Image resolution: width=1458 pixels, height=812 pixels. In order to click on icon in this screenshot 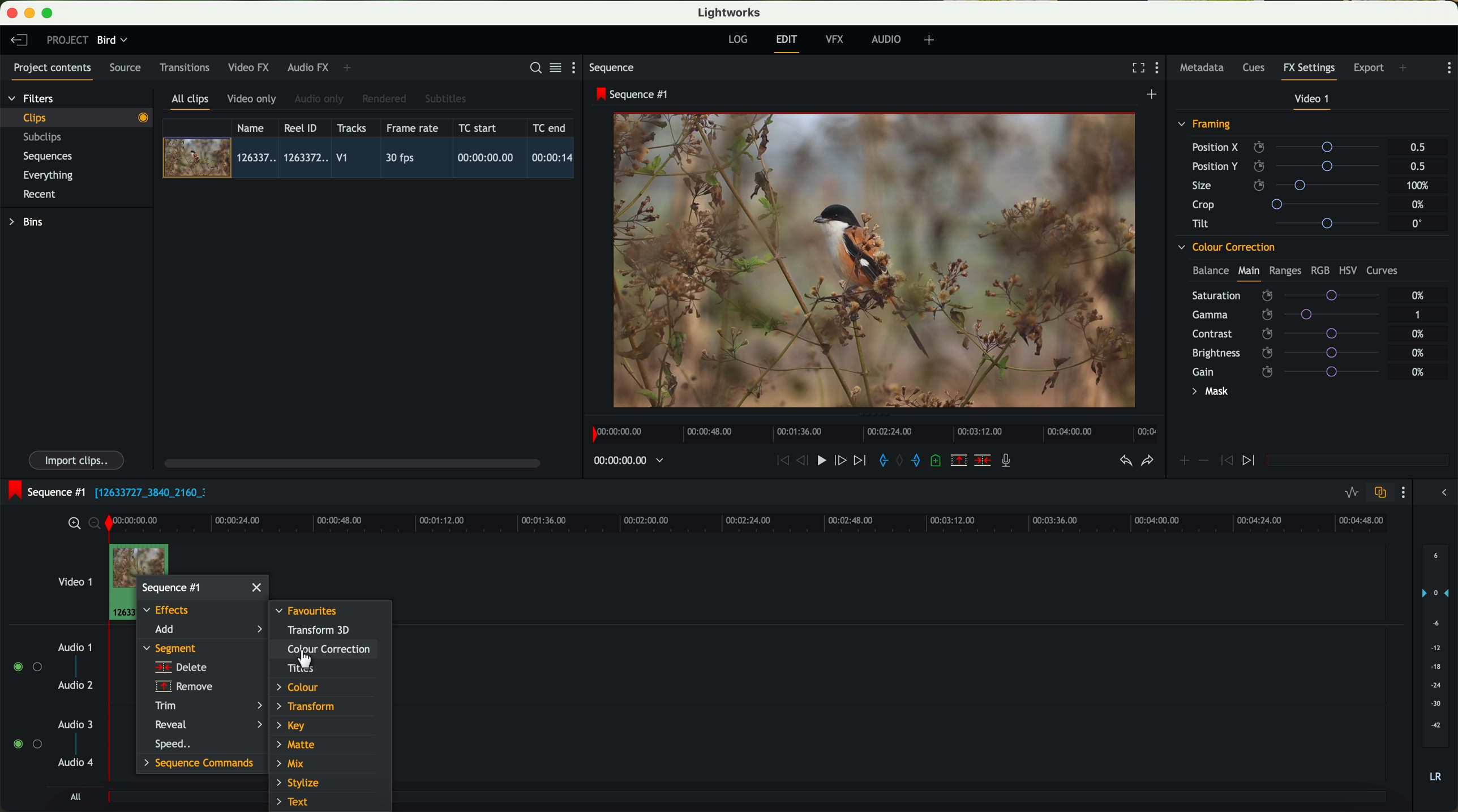, I will do `click(1203, 461)`.